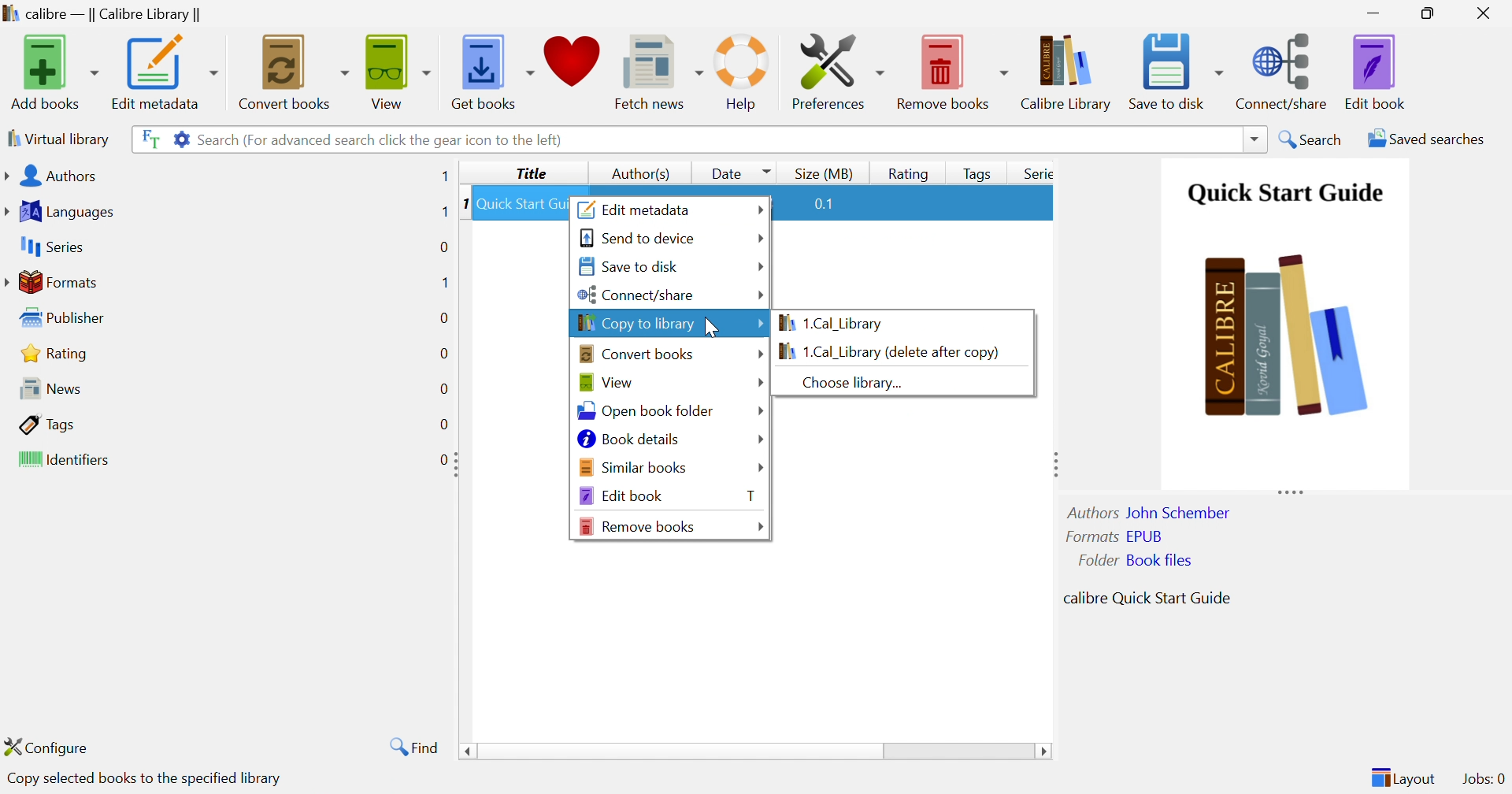 Image resolution: width=1512 pixels, height=794 pixels. Describe the element at coordinates (951, 69) in the screenshot. I see `Remove Books` at that location.